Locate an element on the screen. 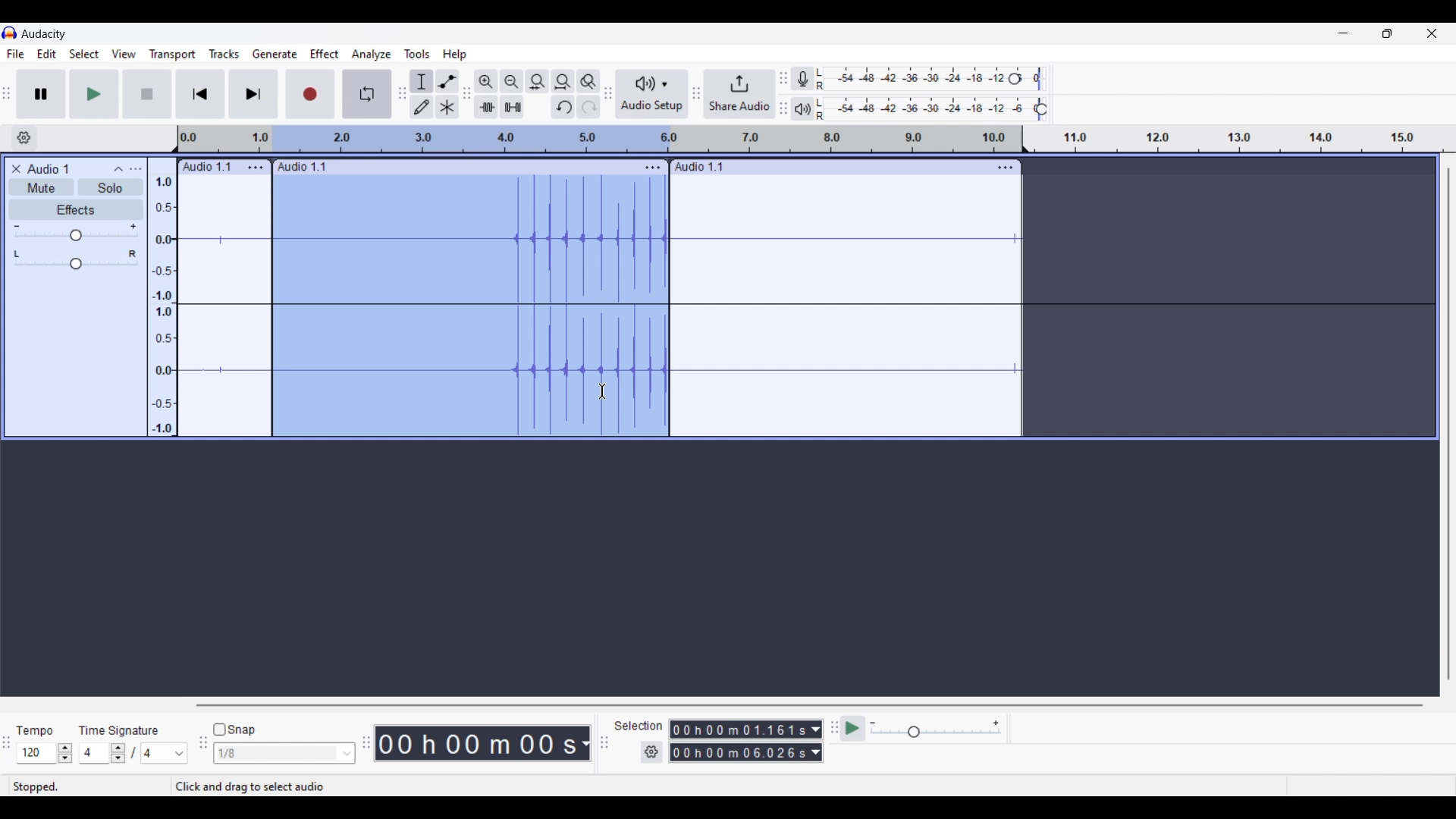 The width and height of the screenshot is (1456, 819). File menu is located at coordinates (16, 54).